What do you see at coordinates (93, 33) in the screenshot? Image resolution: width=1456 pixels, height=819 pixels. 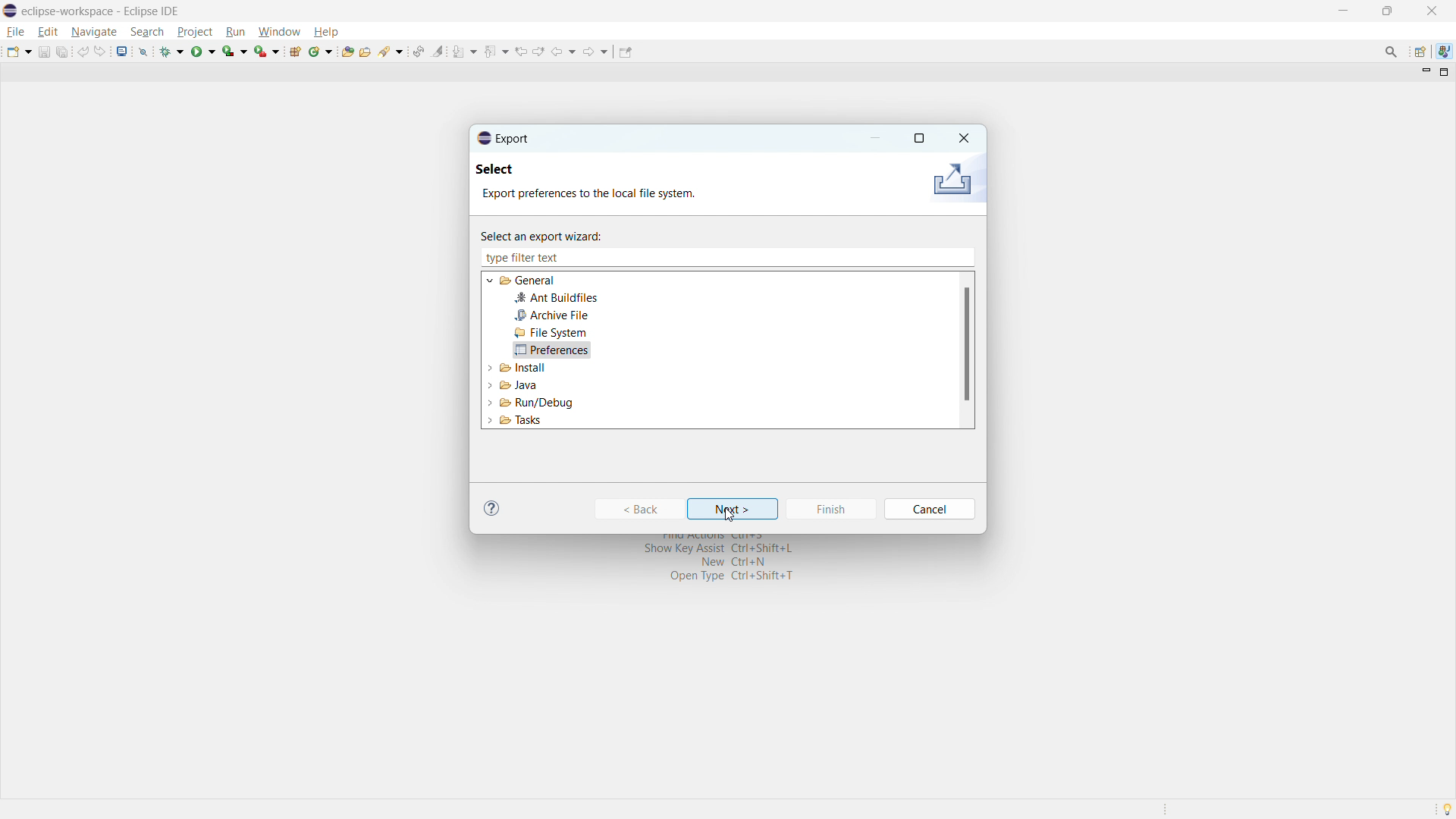 I see `navigate` at bounding box center [93, 33].